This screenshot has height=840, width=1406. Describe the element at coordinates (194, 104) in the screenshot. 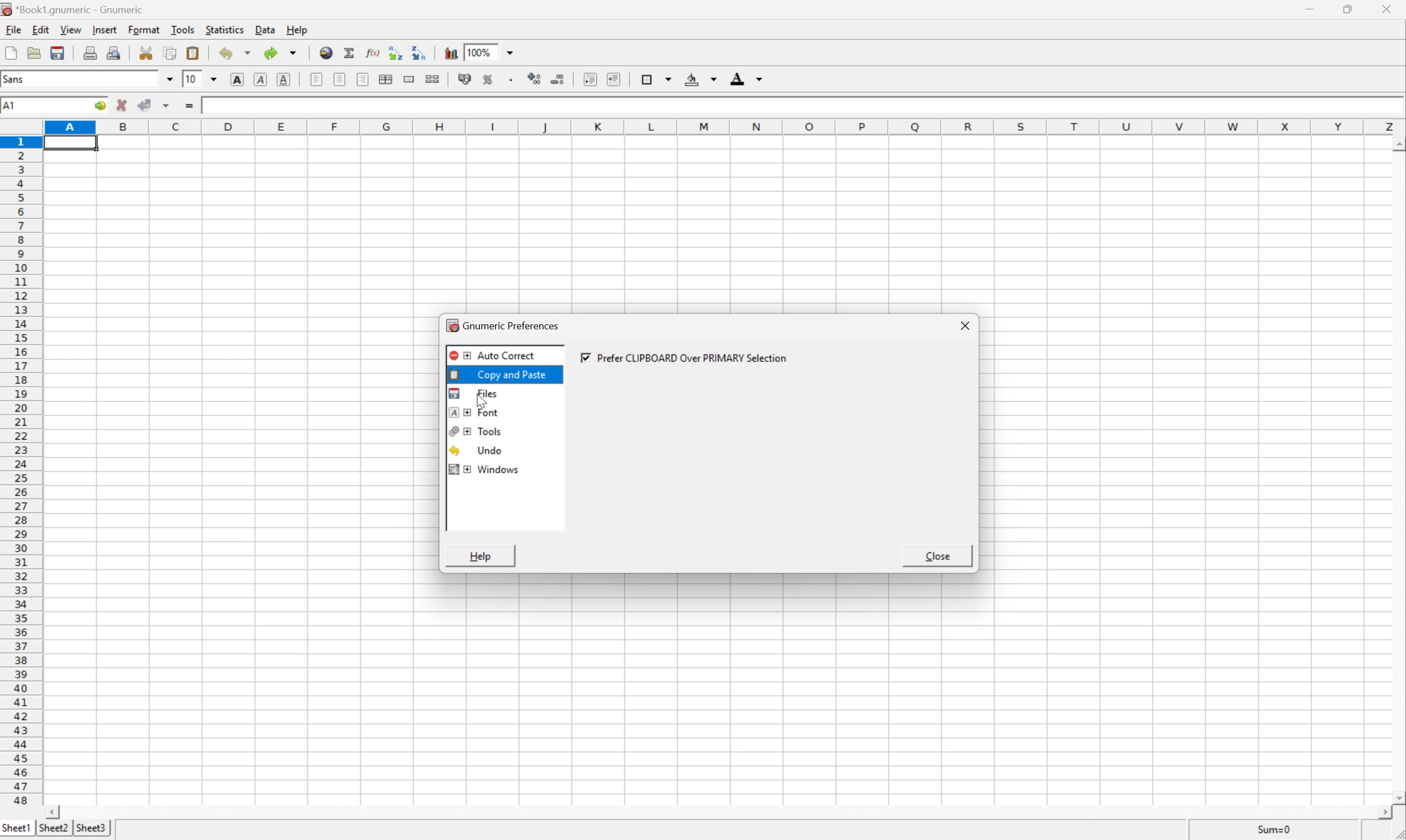

I see `enter formula` at that location.